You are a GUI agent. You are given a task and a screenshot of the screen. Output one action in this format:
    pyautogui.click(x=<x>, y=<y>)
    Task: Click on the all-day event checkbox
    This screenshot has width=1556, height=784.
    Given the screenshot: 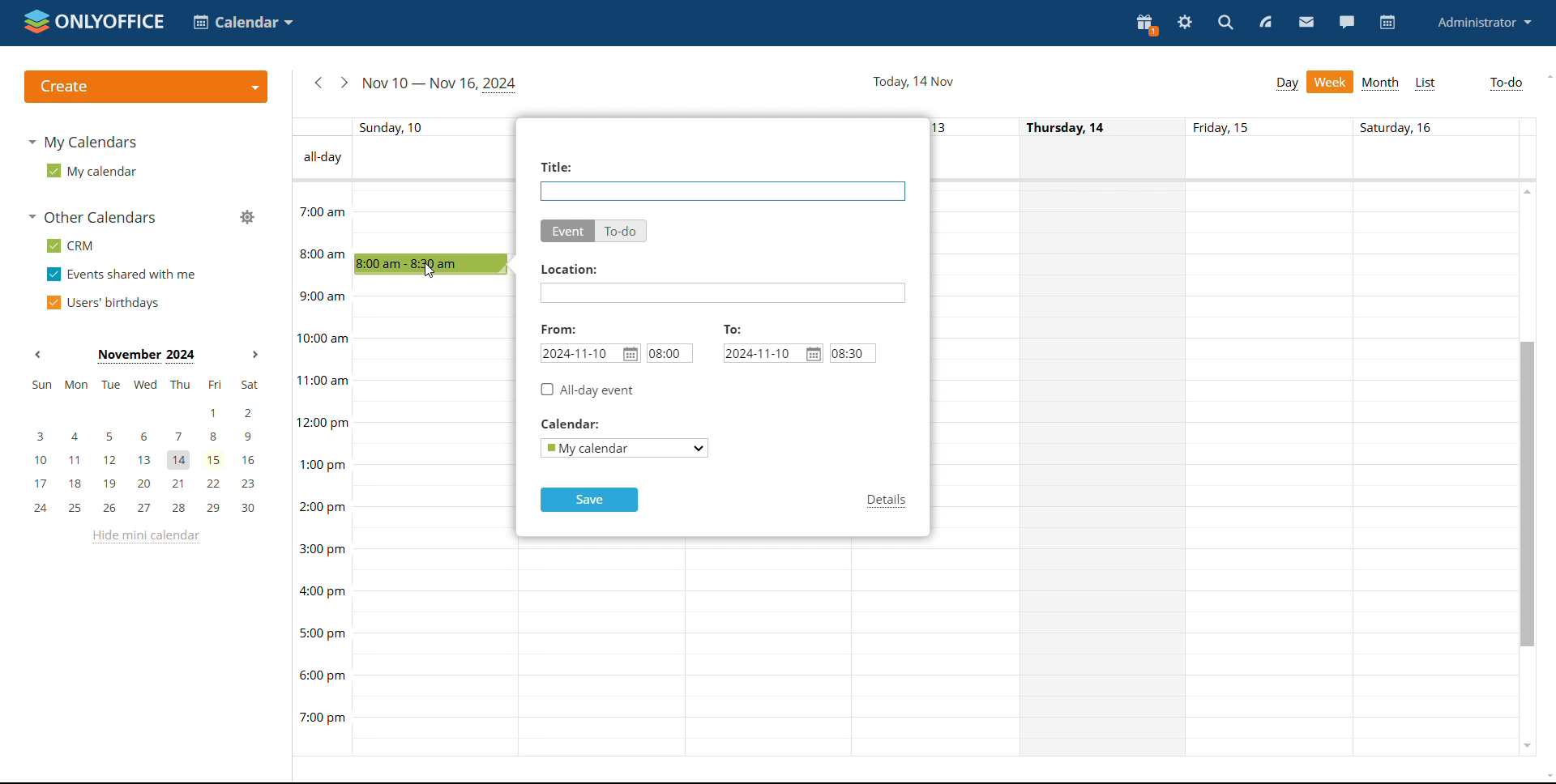 What is the action you would take?
    pyautogui.click(x=592, y=390)
    